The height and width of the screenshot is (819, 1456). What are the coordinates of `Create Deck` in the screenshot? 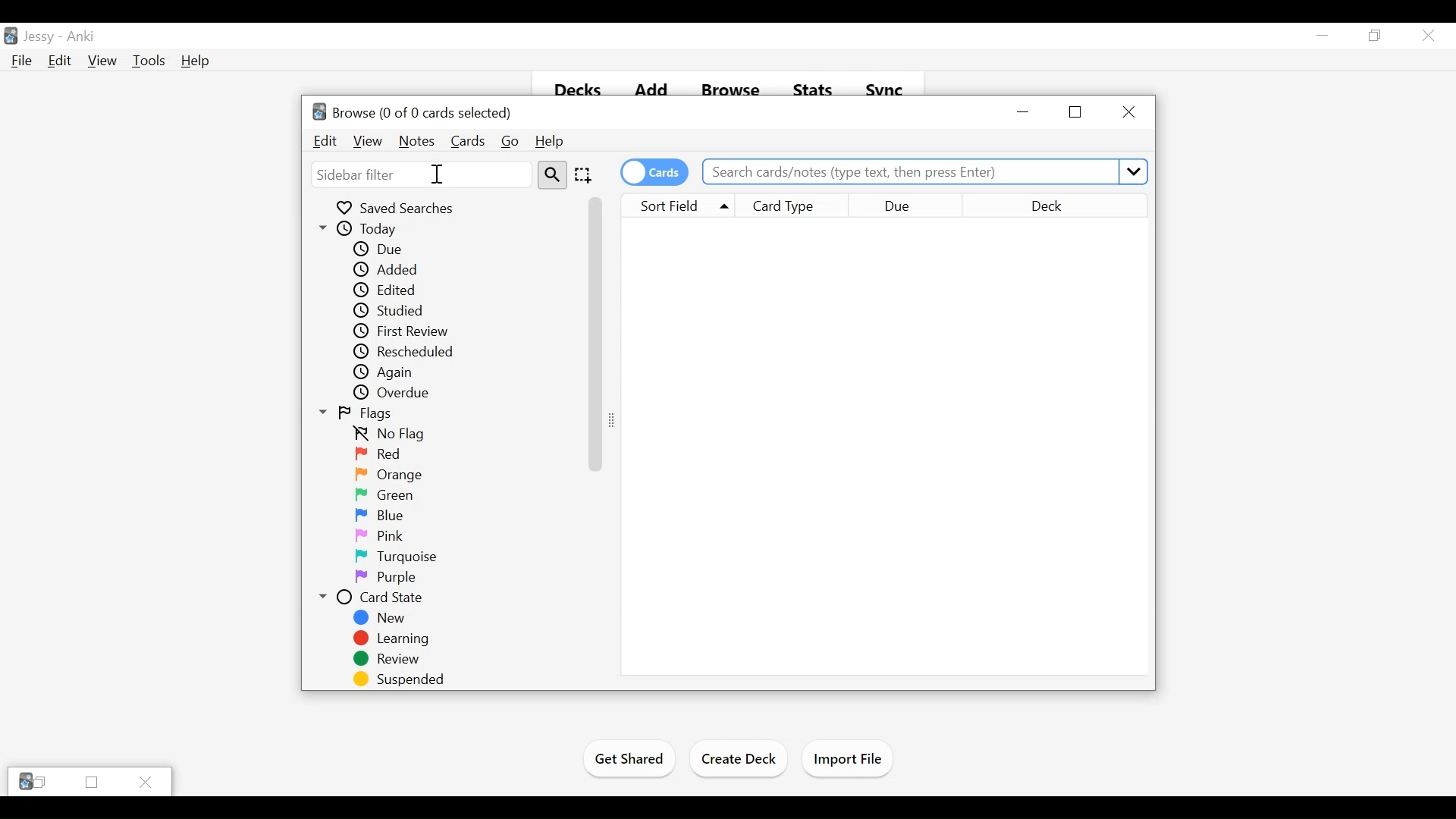 It's located at (740, 758).